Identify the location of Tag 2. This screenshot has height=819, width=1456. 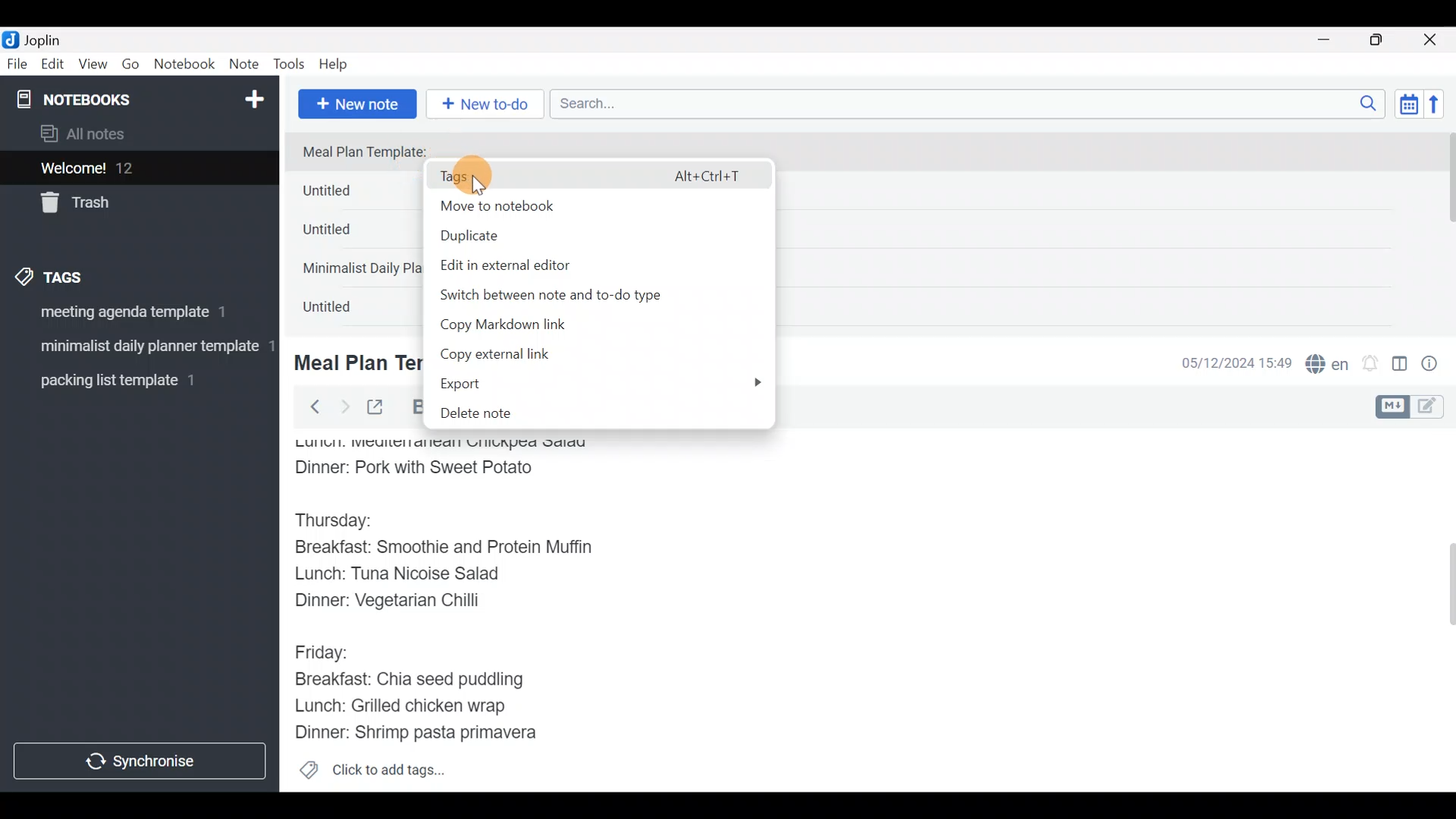
(139, 348).